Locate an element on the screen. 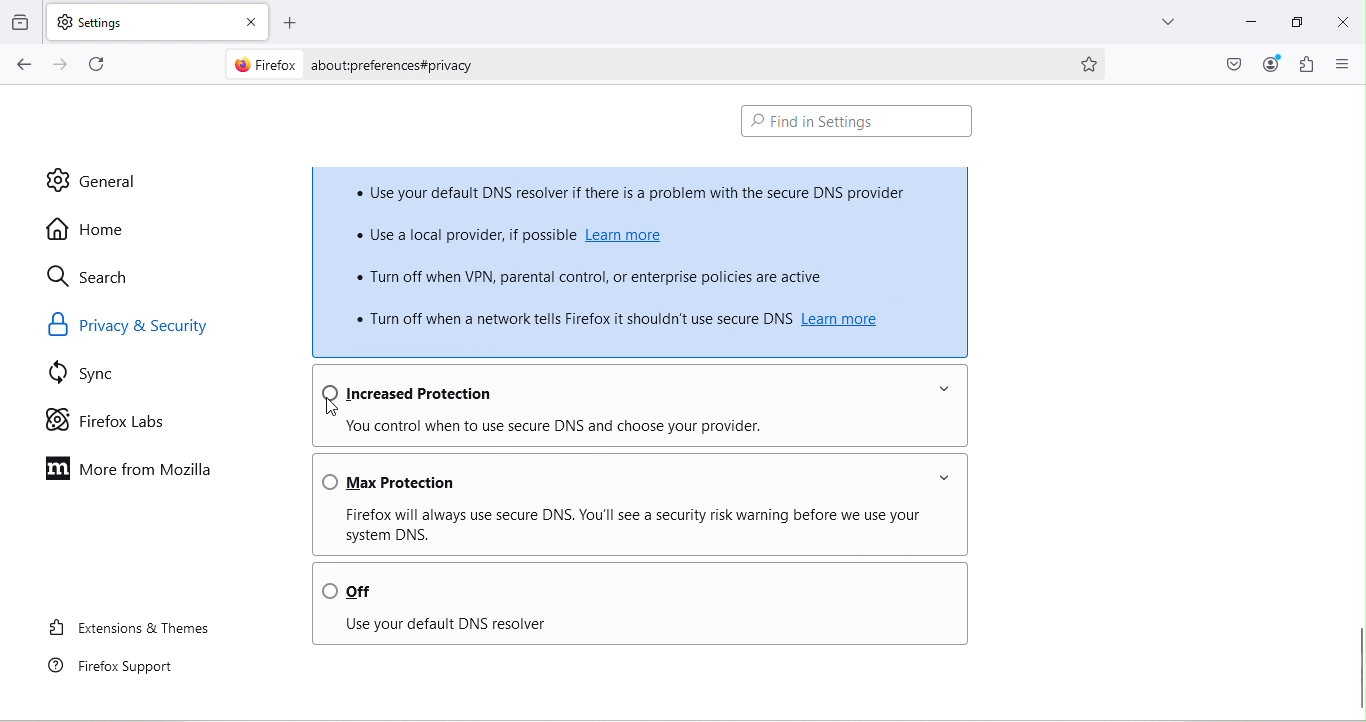  Open a new tab is located at coordinates (287, 19).